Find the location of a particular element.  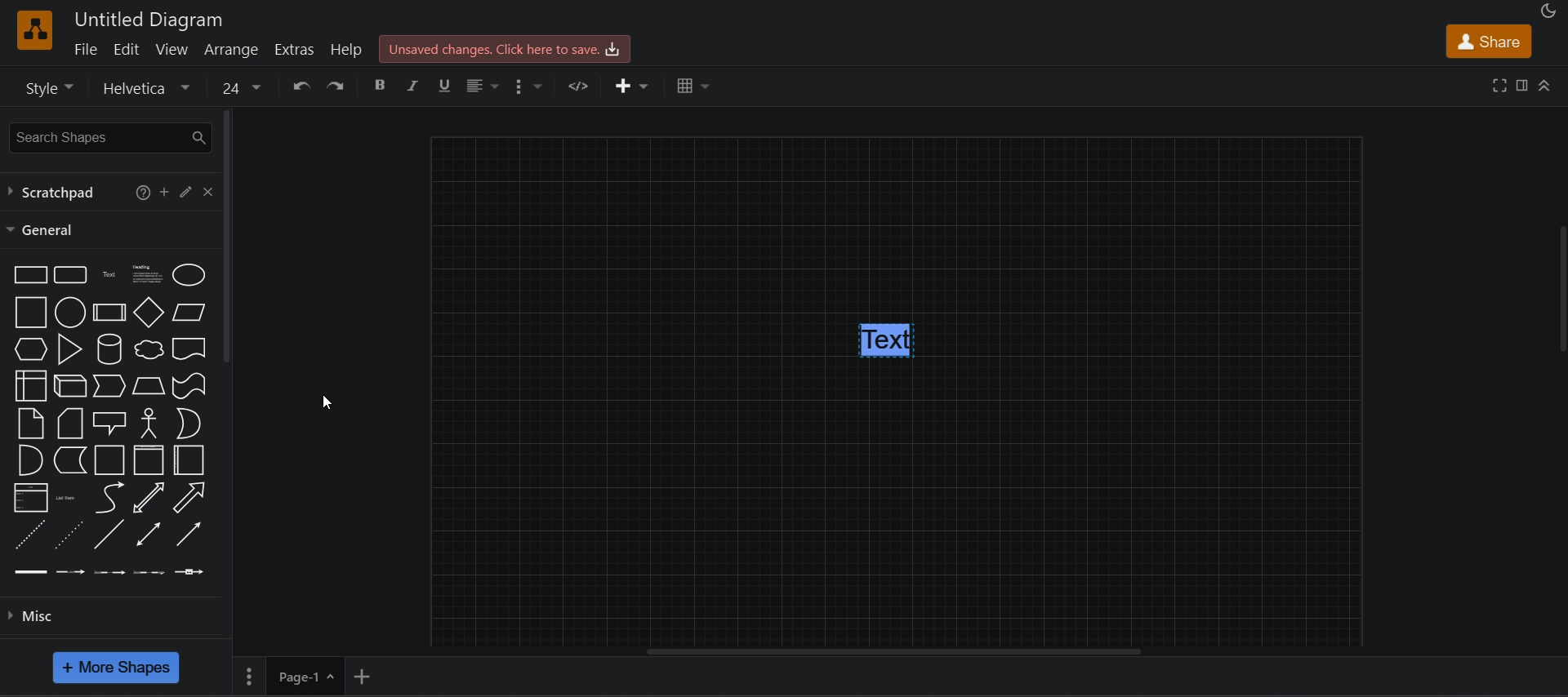

Dotted line is located at coordinates (69, 535).